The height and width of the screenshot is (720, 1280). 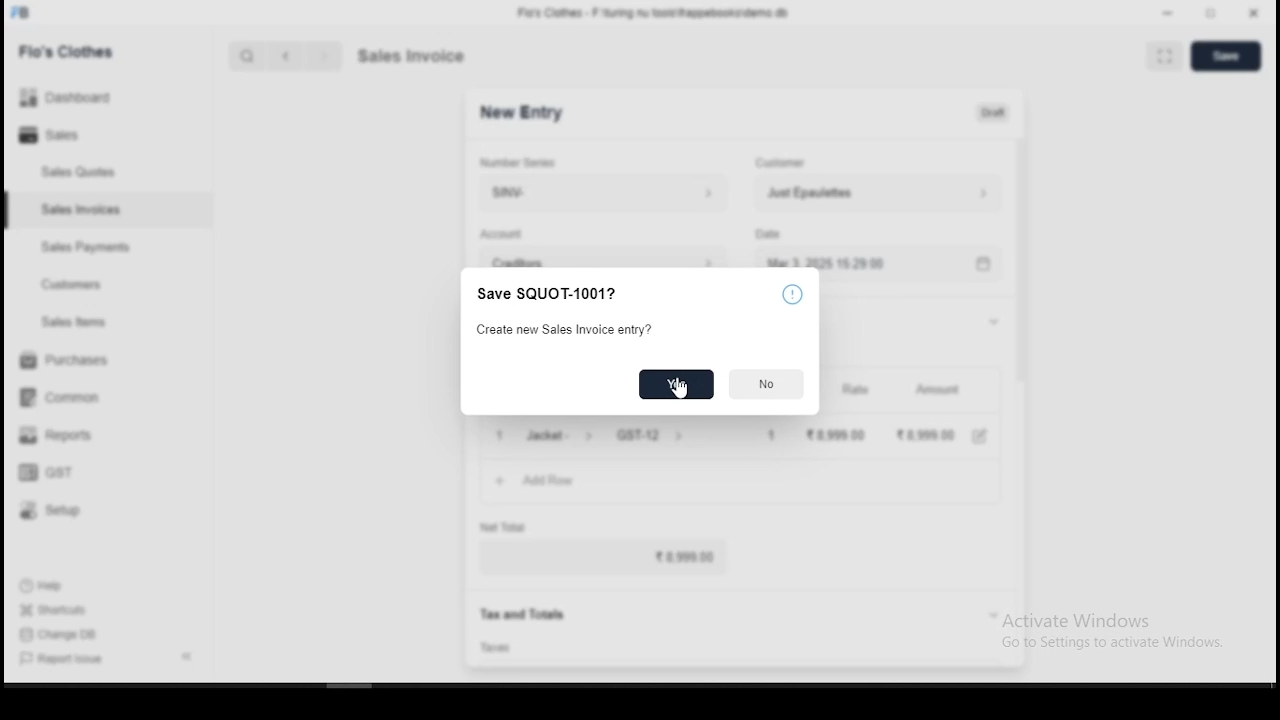 What do you see at coordinates (855, 390) in the screenshot?
I see `rate` at bounding box center [855, 390].